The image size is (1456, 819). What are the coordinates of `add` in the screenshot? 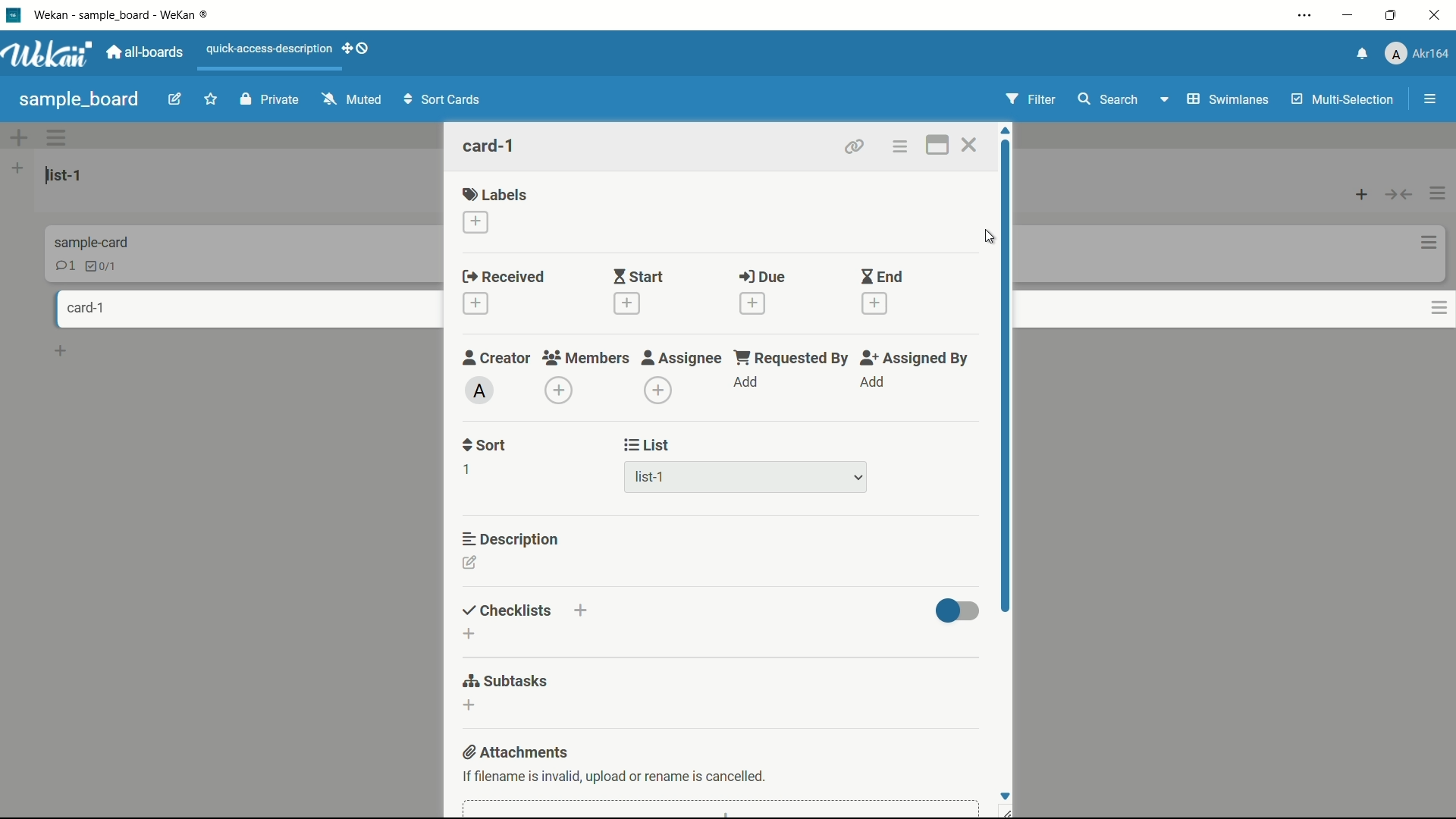 It's located at (748, 392).